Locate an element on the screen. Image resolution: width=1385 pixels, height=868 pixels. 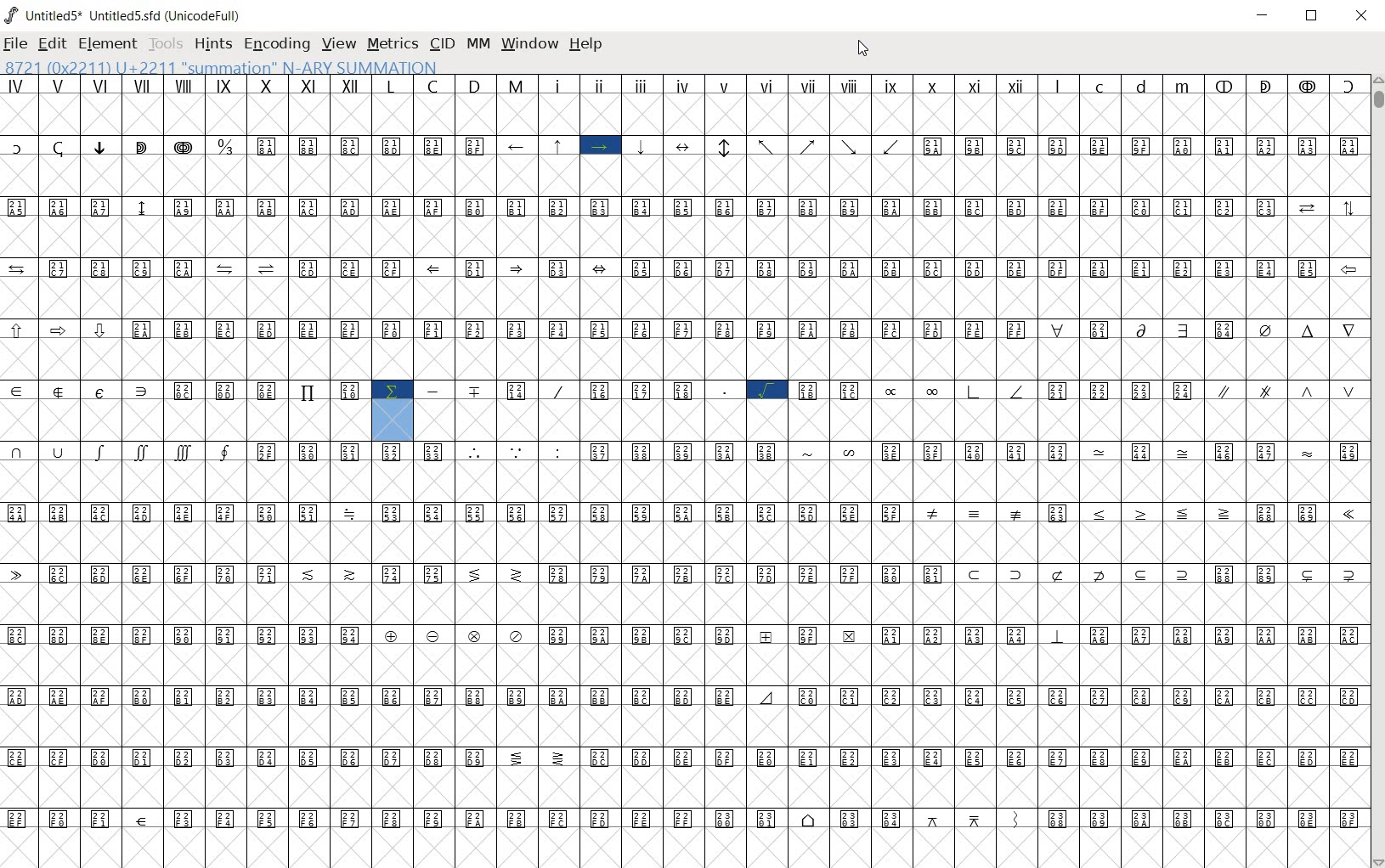
FILE is located at coordinates (17, 44).